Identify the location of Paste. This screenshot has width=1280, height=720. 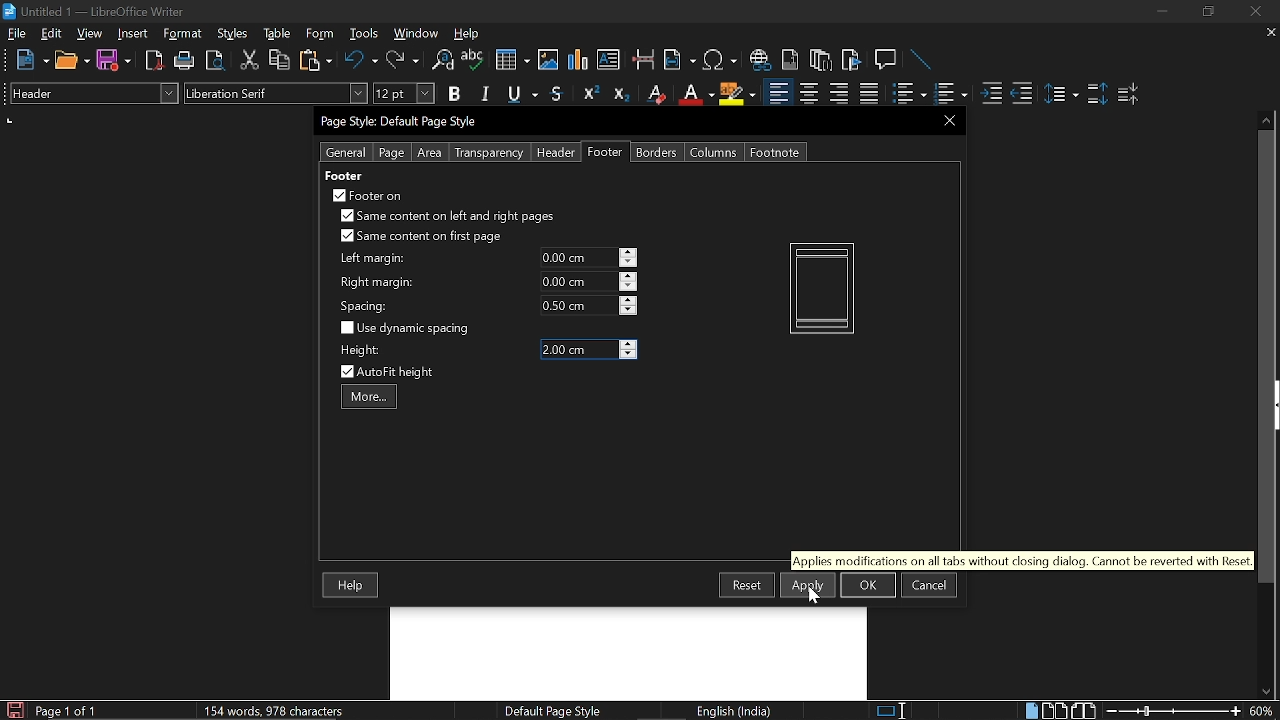
(314, 59).